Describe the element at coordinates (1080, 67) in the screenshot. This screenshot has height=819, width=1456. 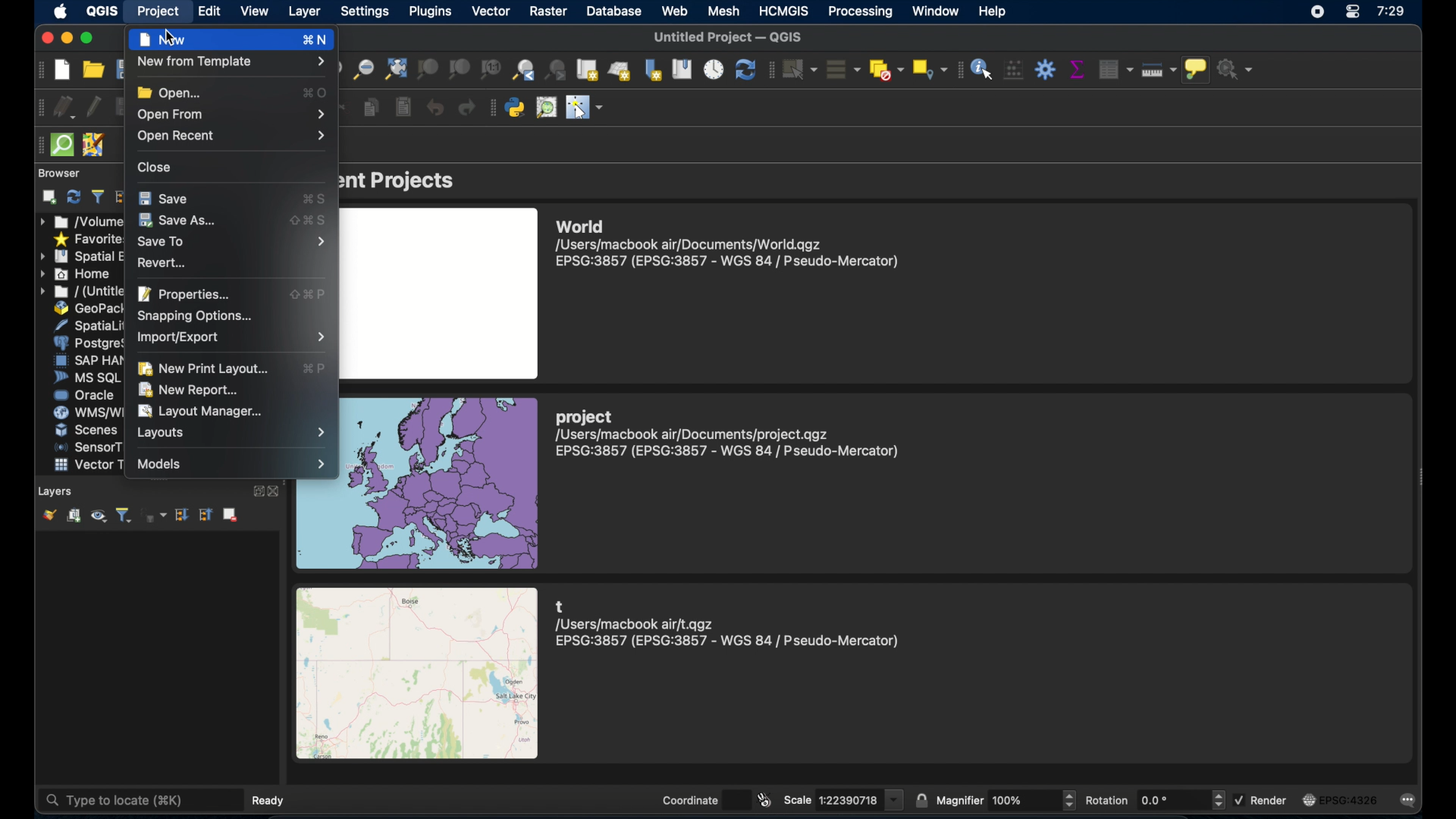
I see `show statistical summary` at that location.